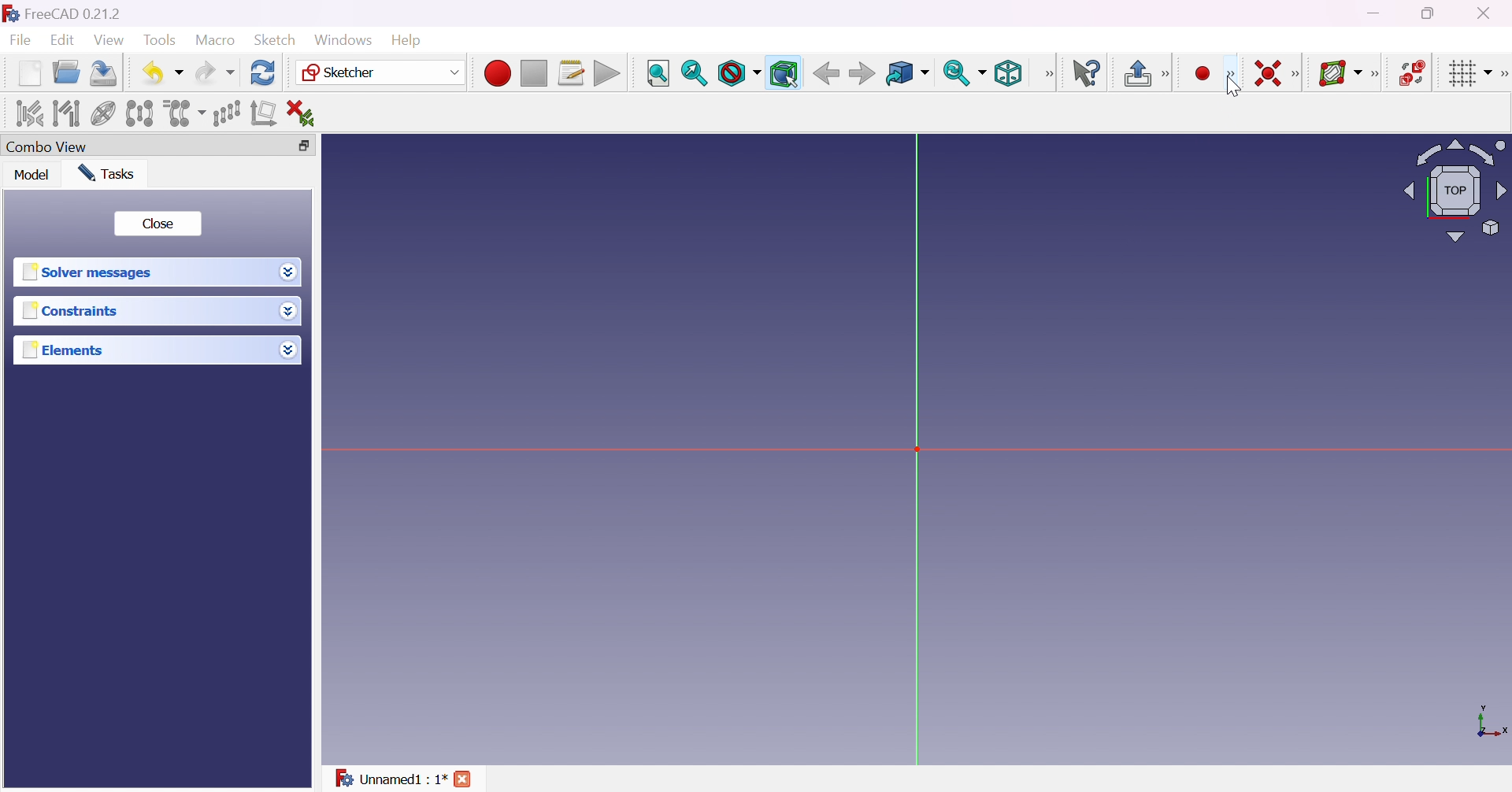  What do you see at coordinates (1490, 723) in the screenshot?
I see `x, y axis` at bounding box center [1490, 723].